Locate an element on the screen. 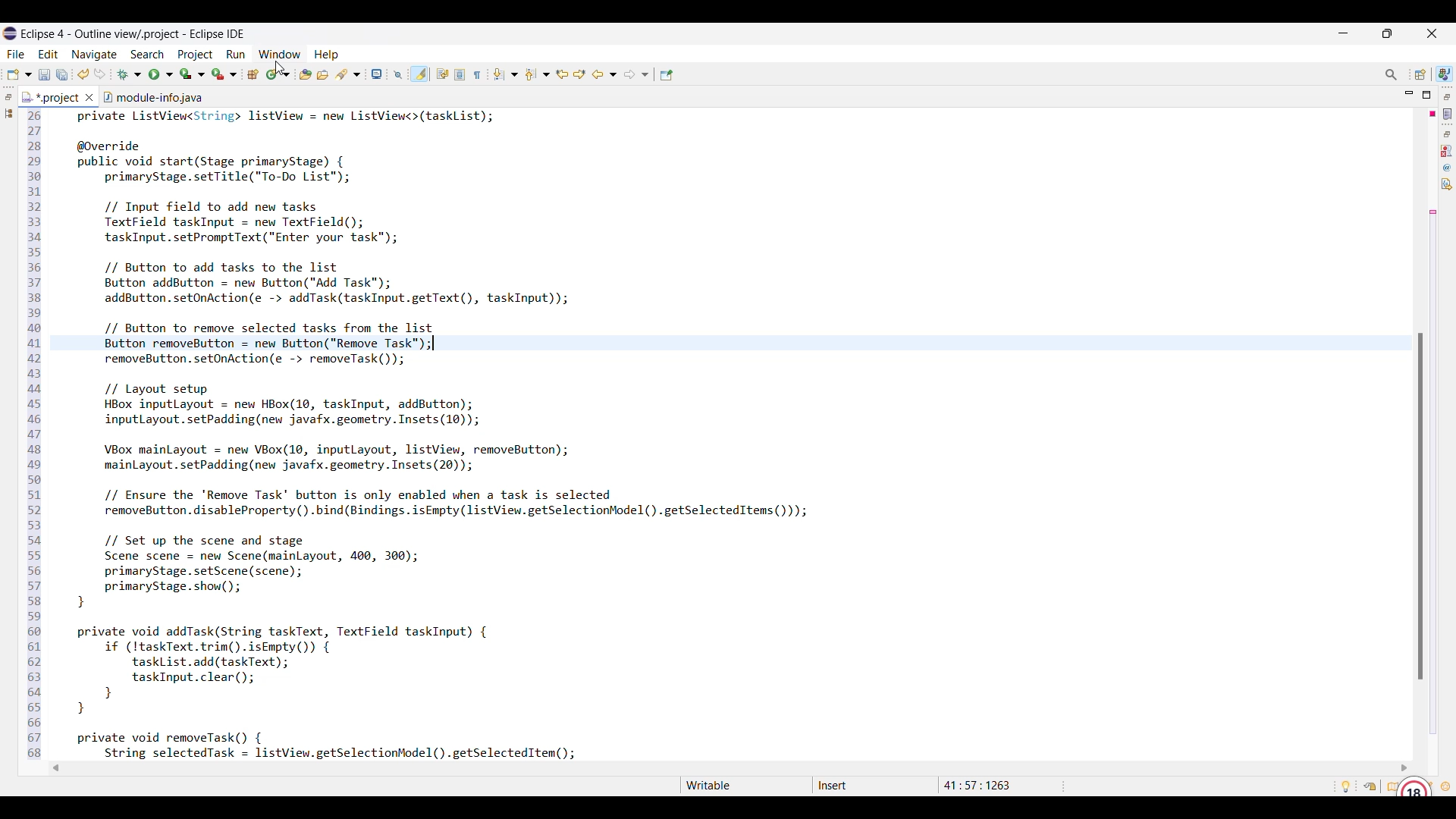 This screenshot has height=819, width=1456. cursor is located at coordinates (278, 65).